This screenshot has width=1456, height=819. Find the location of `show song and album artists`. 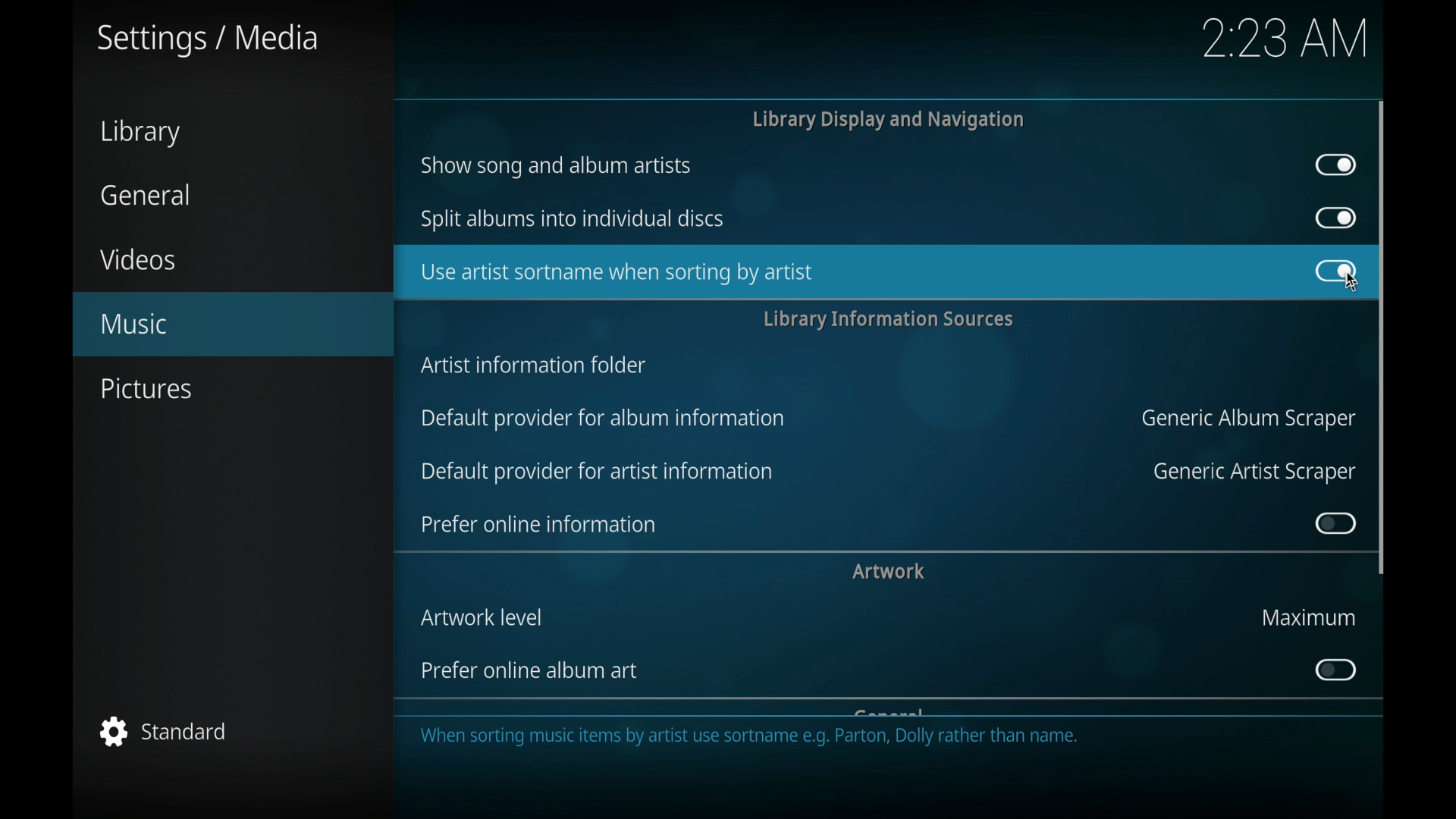

show song and album artists is located at coordinates (557, 166).